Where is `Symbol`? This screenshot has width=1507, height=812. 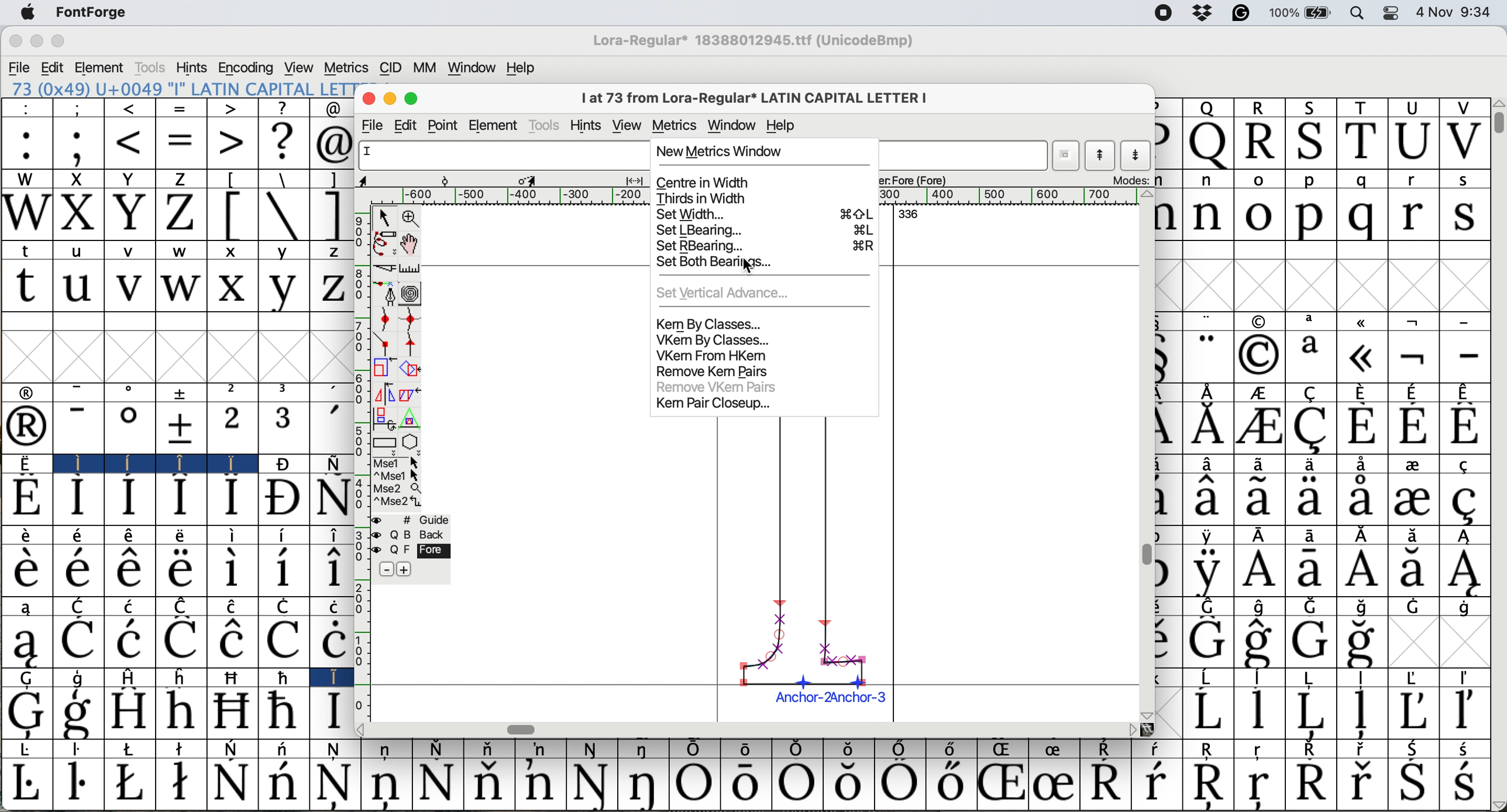
Symbol is located at coordinates (1266, 536).